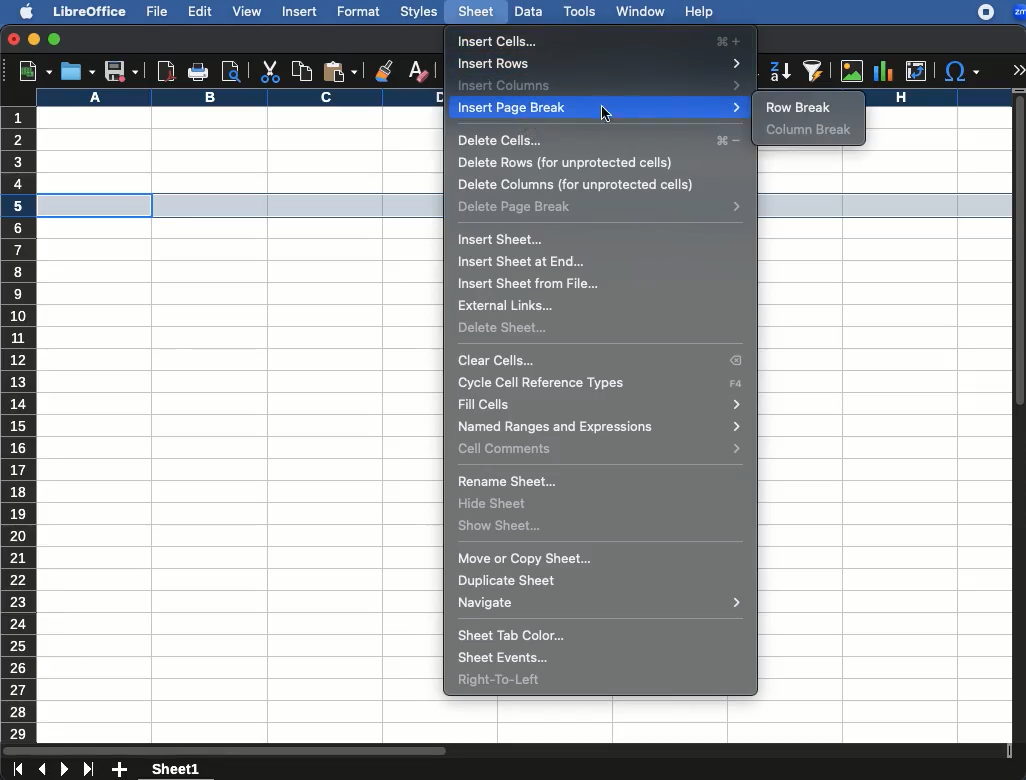  What do you see at coordinates (235, 98) in the screenshot?
I see `column` at bounding box center [235, 98].